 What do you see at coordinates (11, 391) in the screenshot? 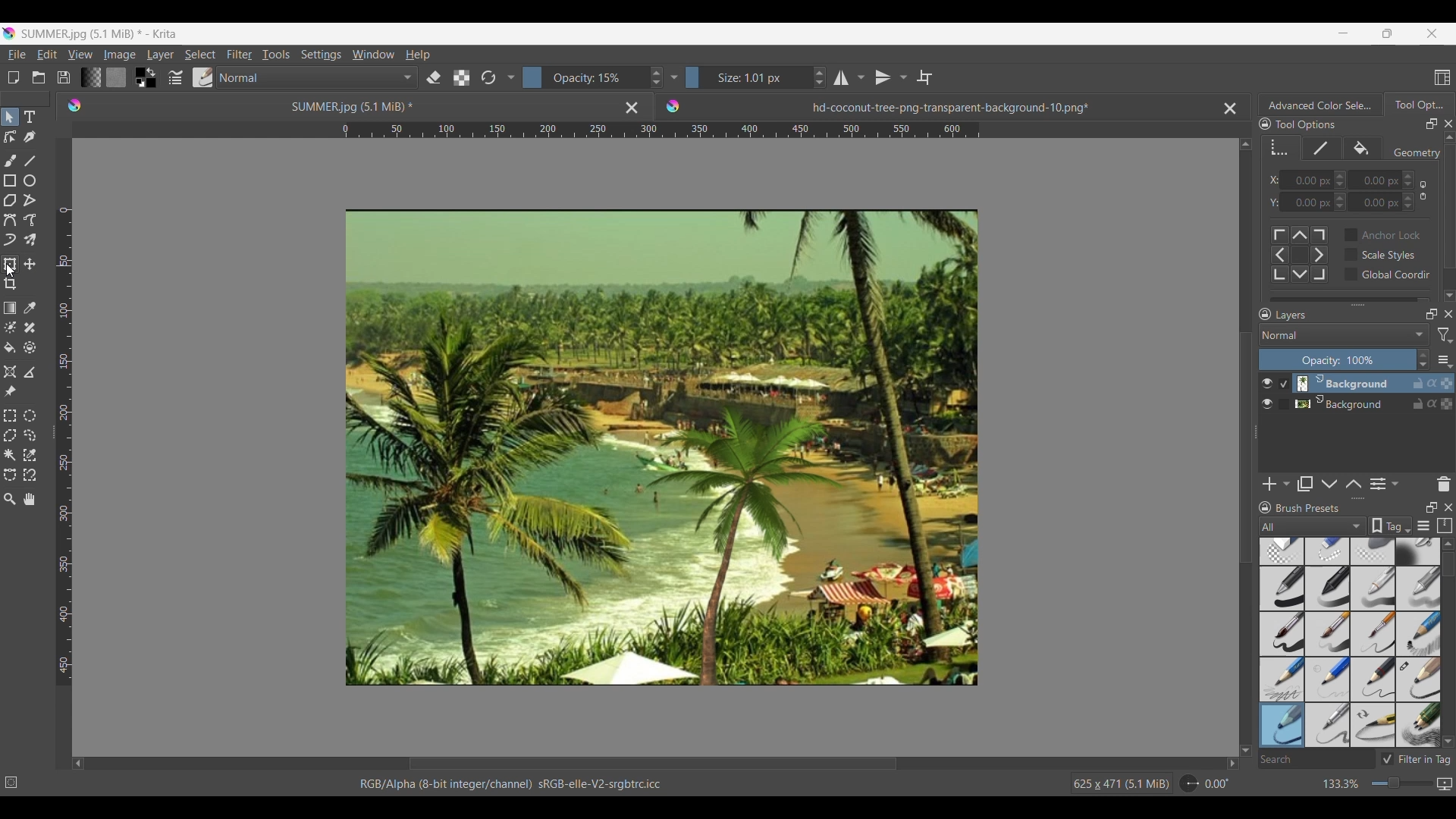
I see `Reference images tool` at bounding box center [11, 391].